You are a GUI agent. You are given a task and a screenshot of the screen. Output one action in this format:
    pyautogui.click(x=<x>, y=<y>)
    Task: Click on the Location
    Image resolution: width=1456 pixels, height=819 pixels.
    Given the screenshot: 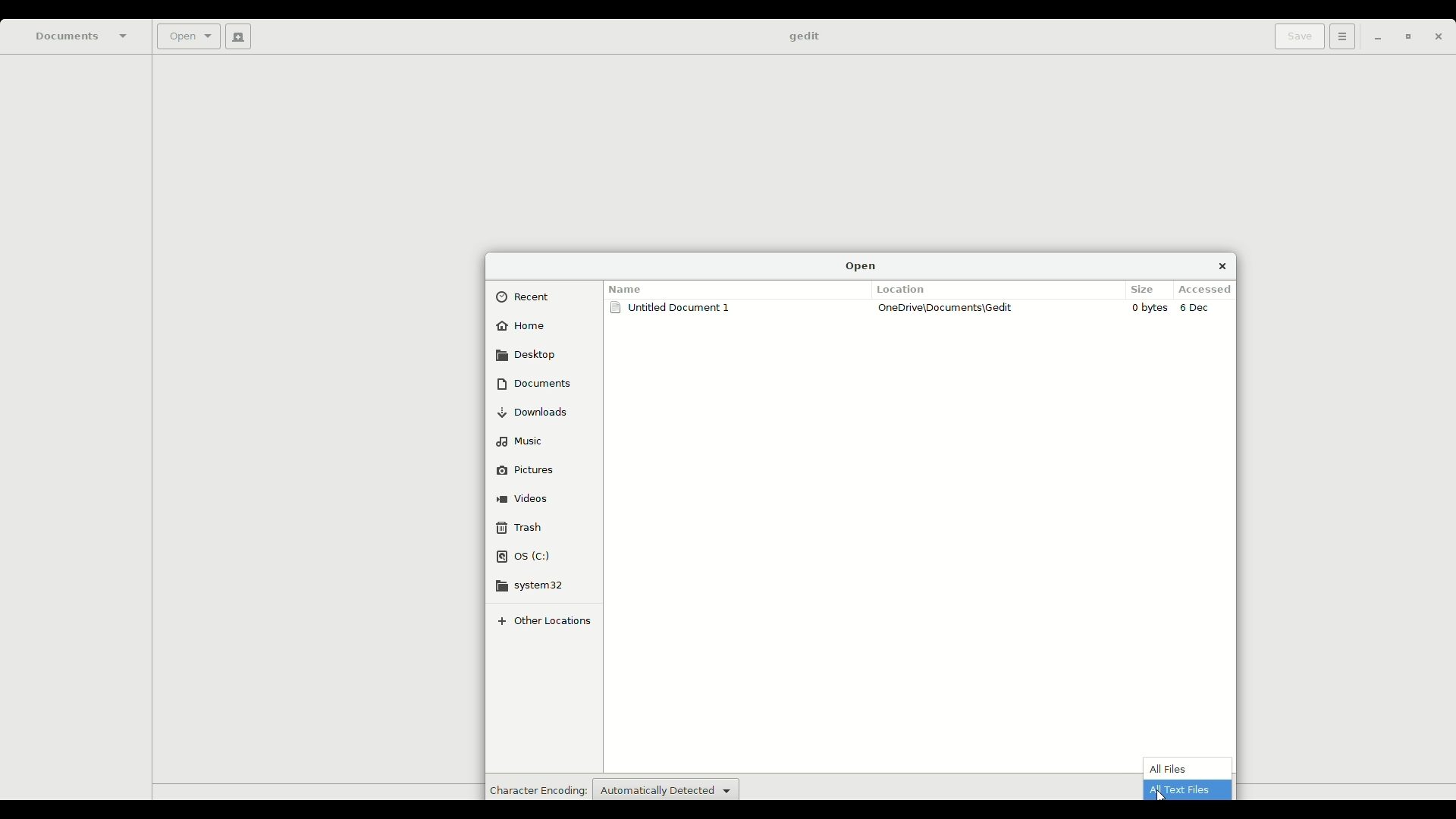 What is the action you would take?
    pyautogui.click(x=905, y=289)
    